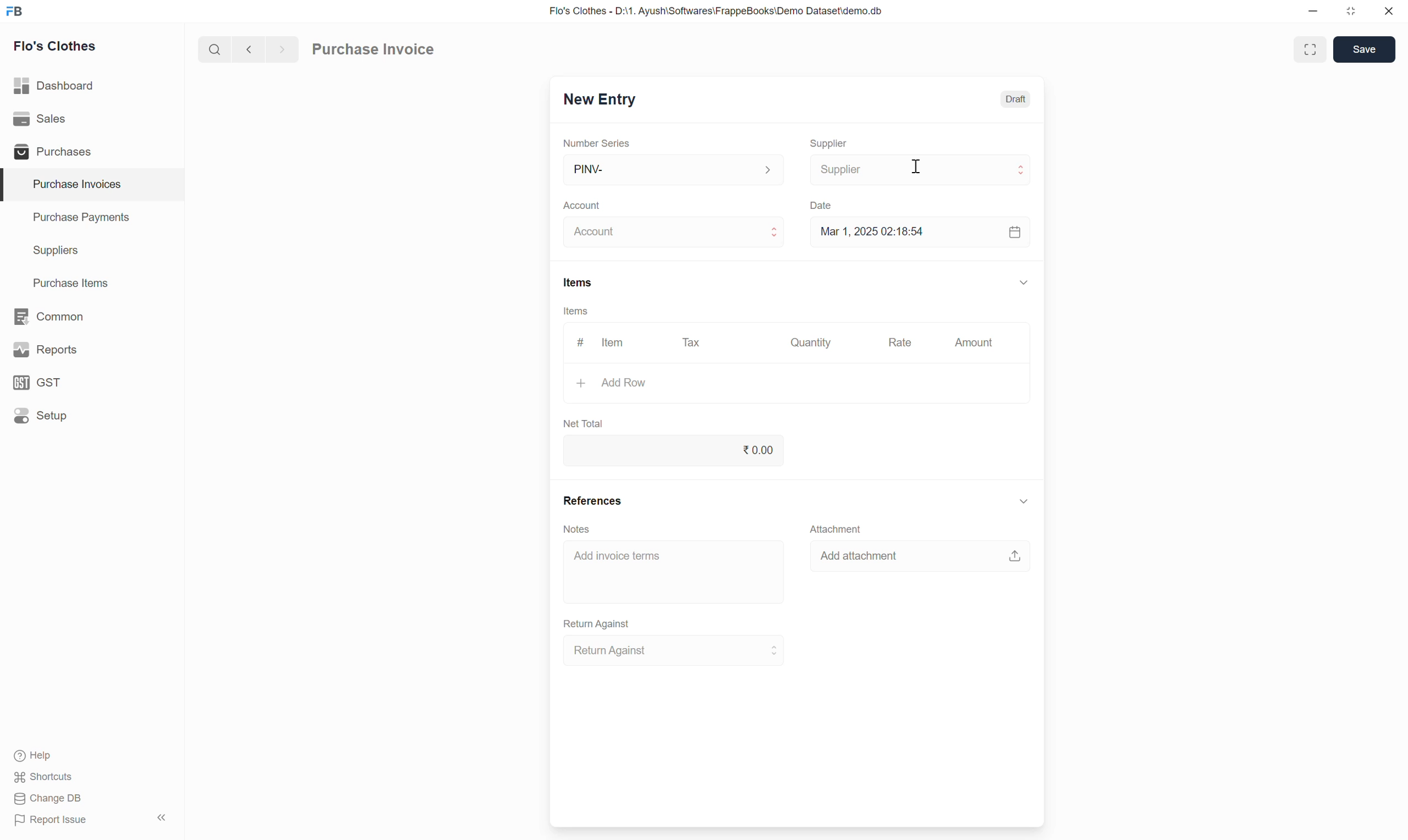 The image size is (1408, 840). Describe the element at coordinates (14, 11) in the screenshot. I see `Frappe Books logo` at that location.